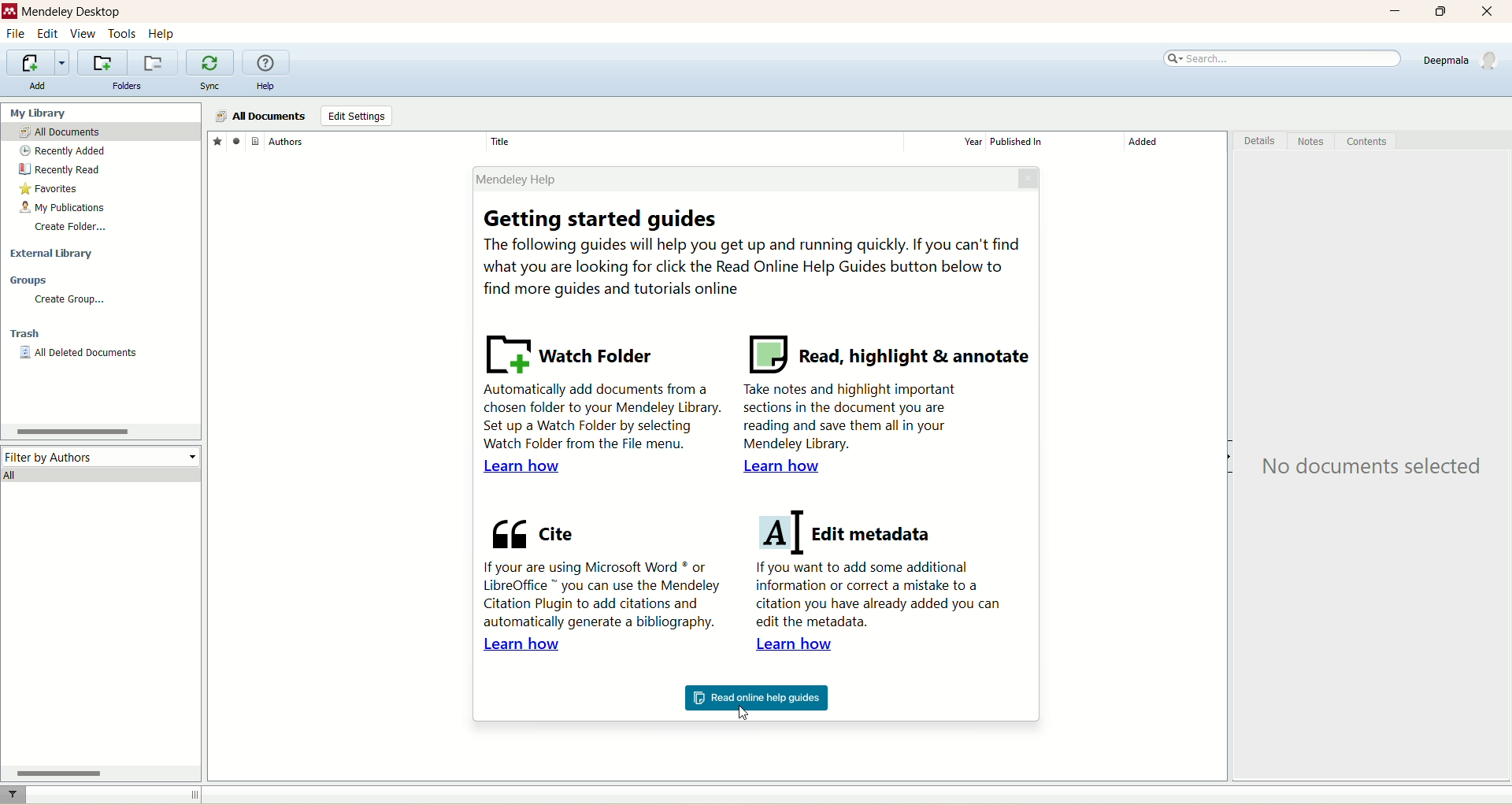 The height and width of the screenshot is (805, 1512). Describe the element at coordinates (755, 699) in the screenshot. I see `read online help guide` at that location.